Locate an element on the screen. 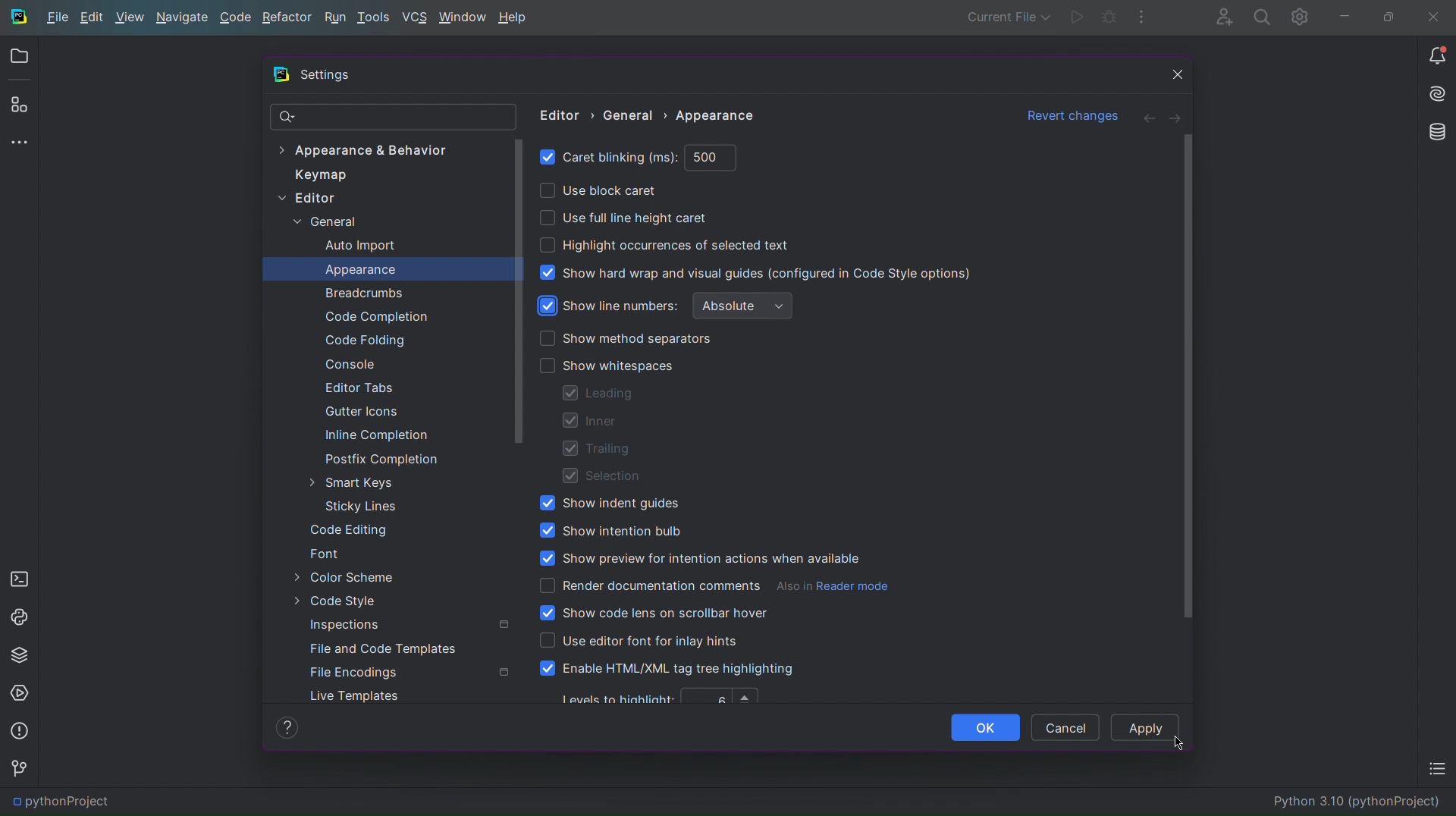 This screenshot has width=1456, height=816. Scrollbar is located at coordinates (1187, 378).